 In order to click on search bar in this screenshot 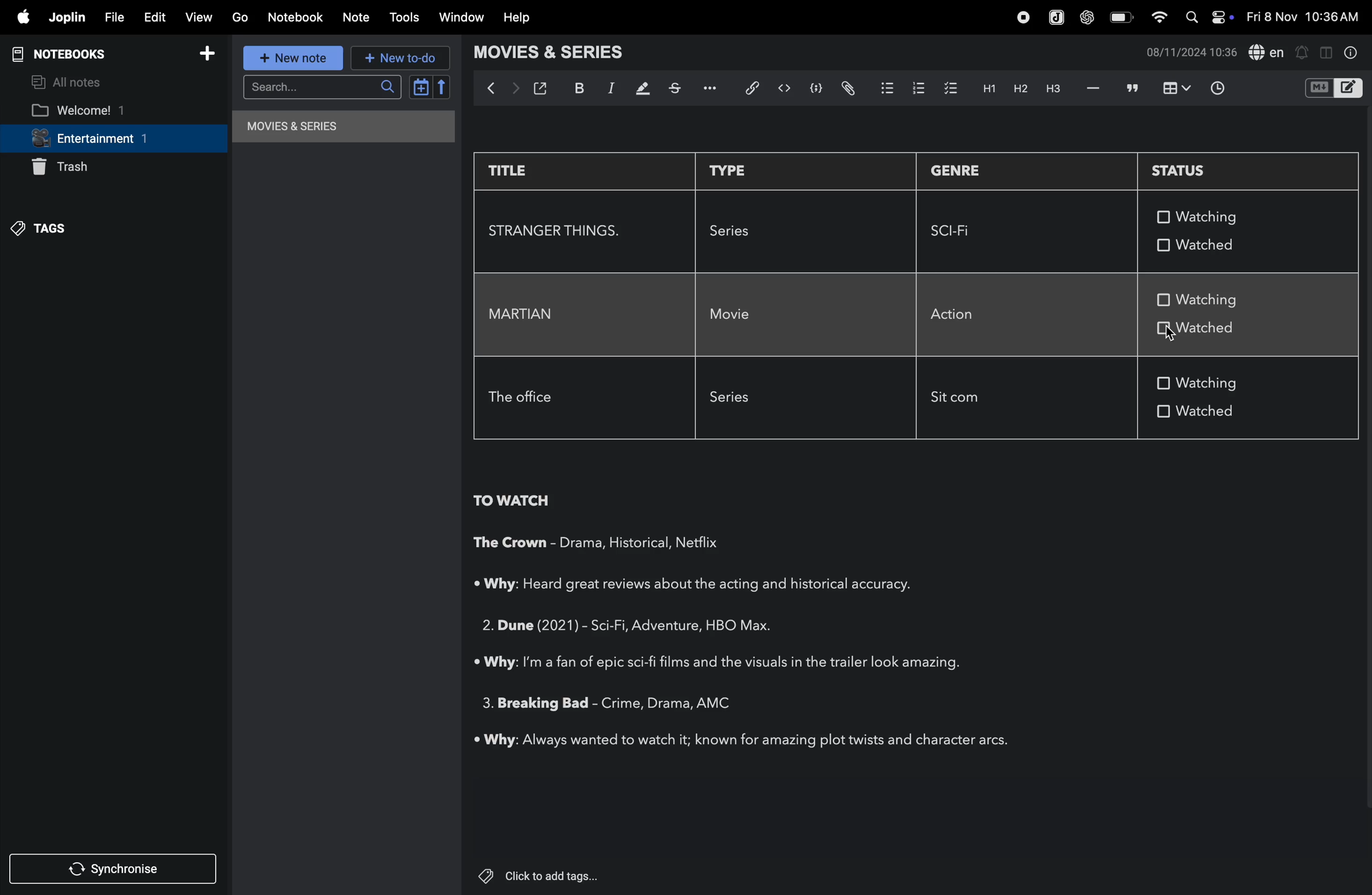, I will do `click(319, 88)`.